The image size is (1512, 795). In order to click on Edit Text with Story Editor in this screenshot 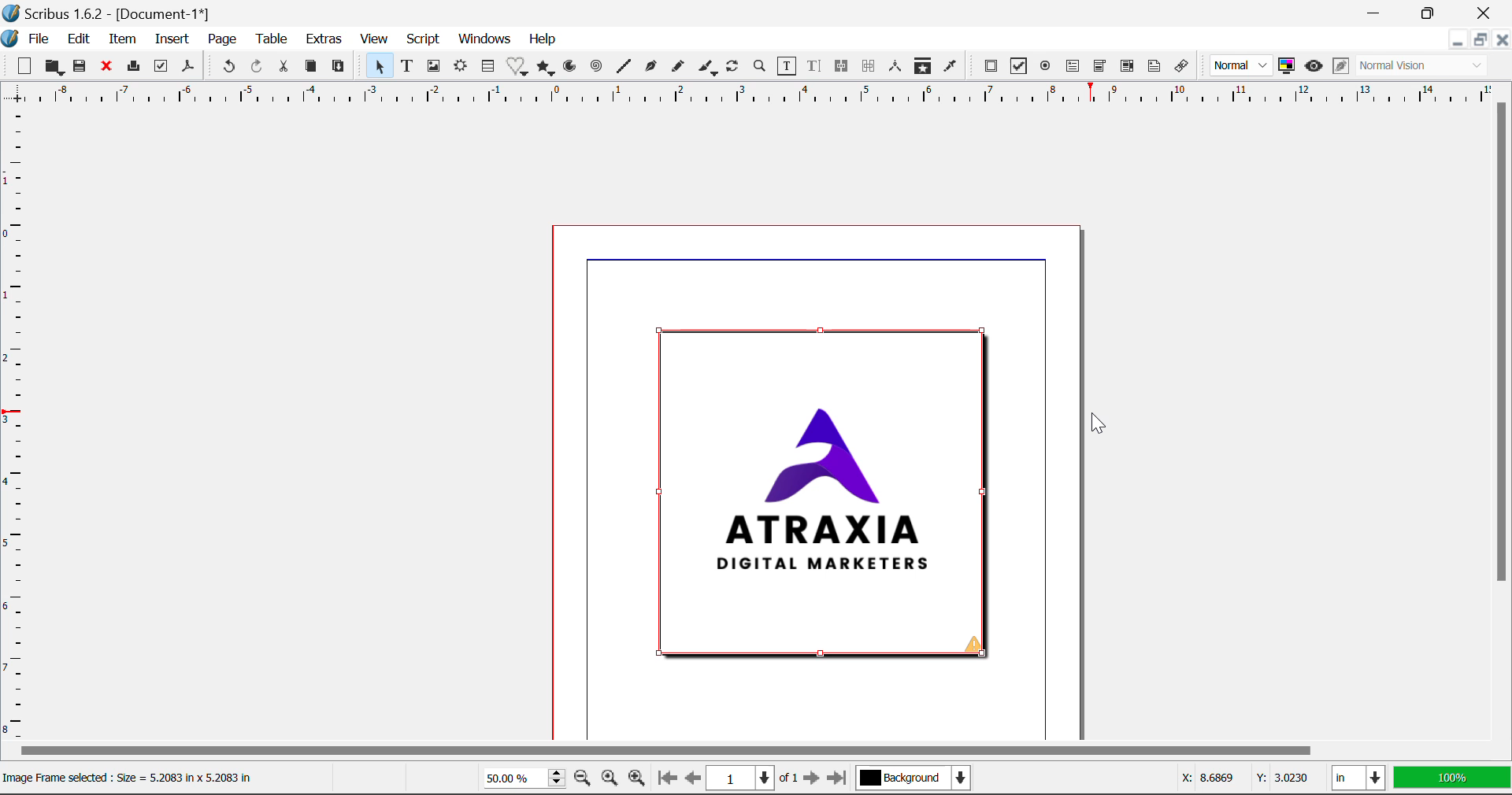, I will do `click(816, 68)`.